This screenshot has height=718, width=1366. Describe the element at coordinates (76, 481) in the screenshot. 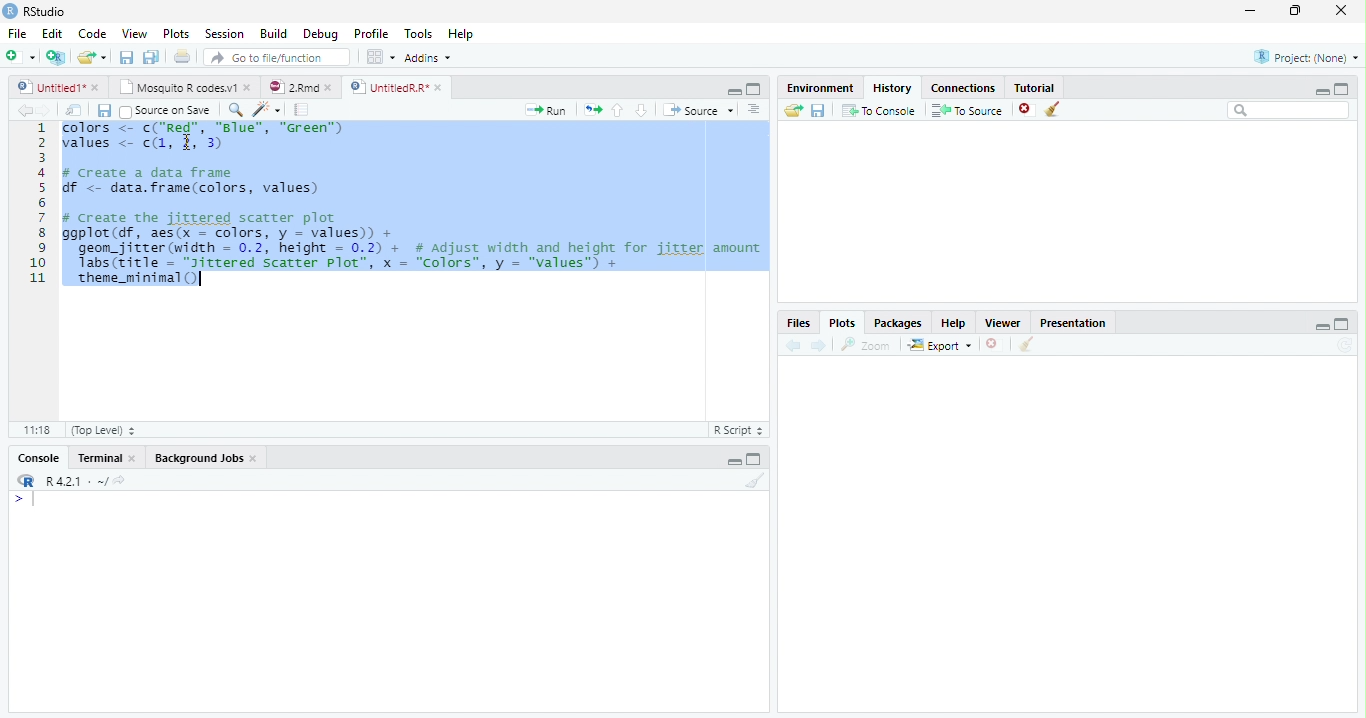

I see `R 4.2.1 . ~/` at that location.